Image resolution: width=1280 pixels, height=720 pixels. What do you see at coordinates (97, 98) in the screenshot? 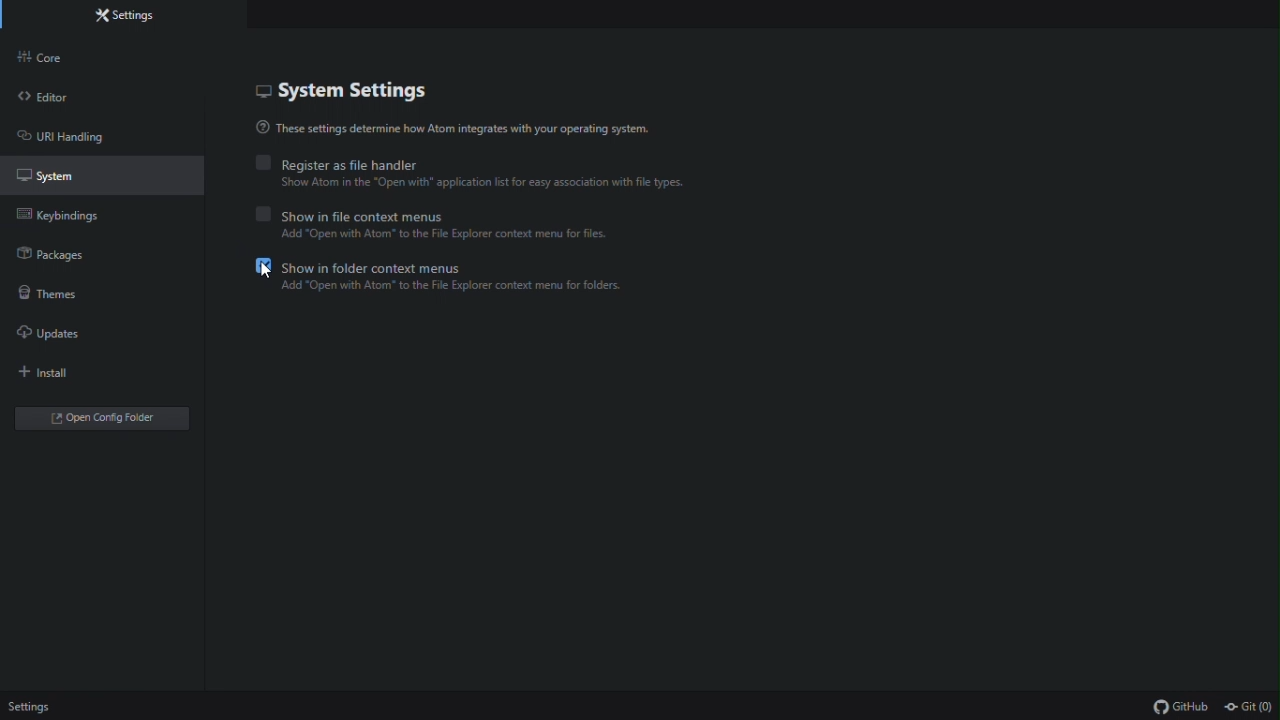
I see `Editor` at bounding box center [97, 98].